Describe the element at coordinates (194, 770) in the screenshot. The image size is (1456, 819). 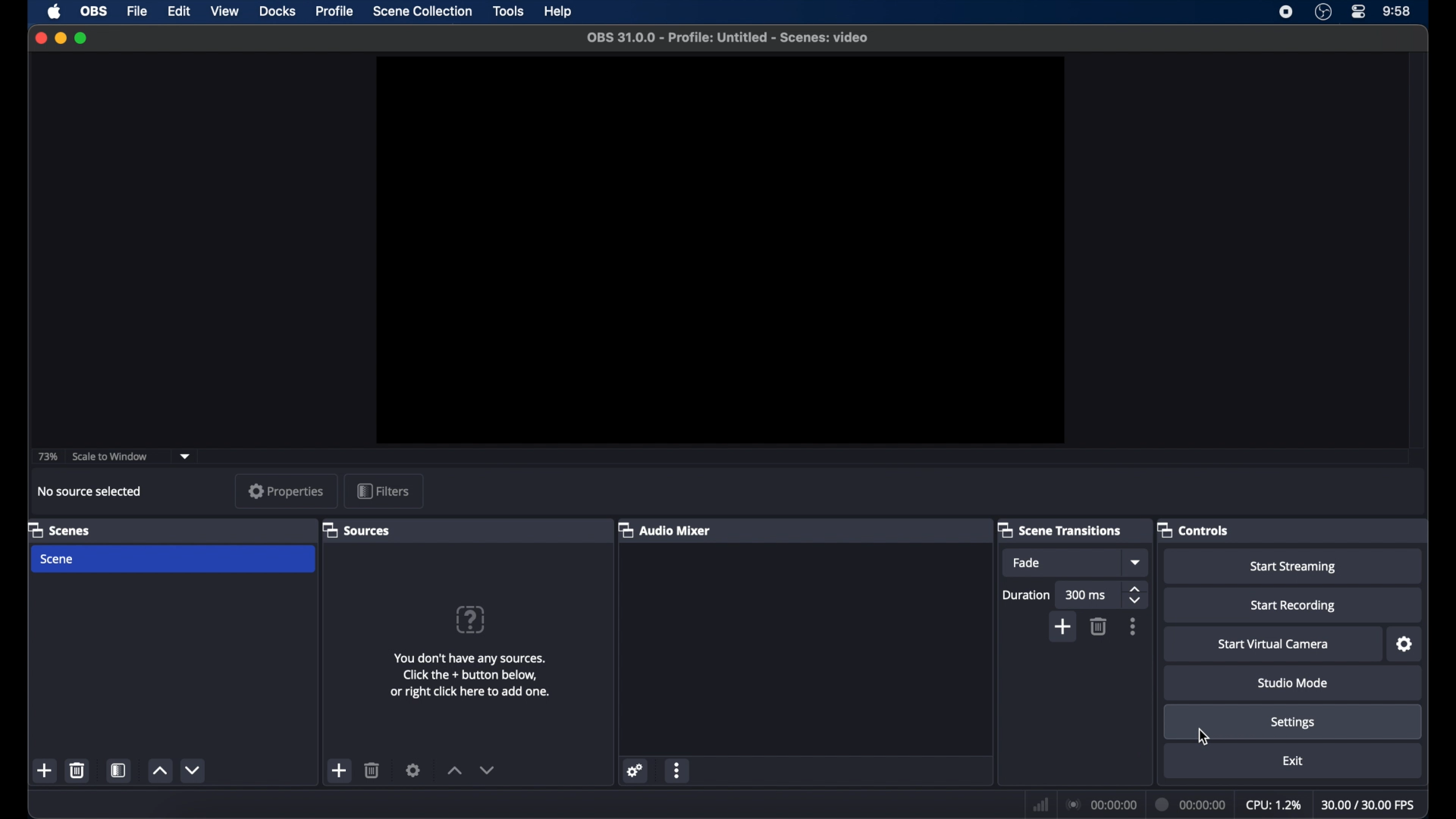
I see `decrement` at that location.